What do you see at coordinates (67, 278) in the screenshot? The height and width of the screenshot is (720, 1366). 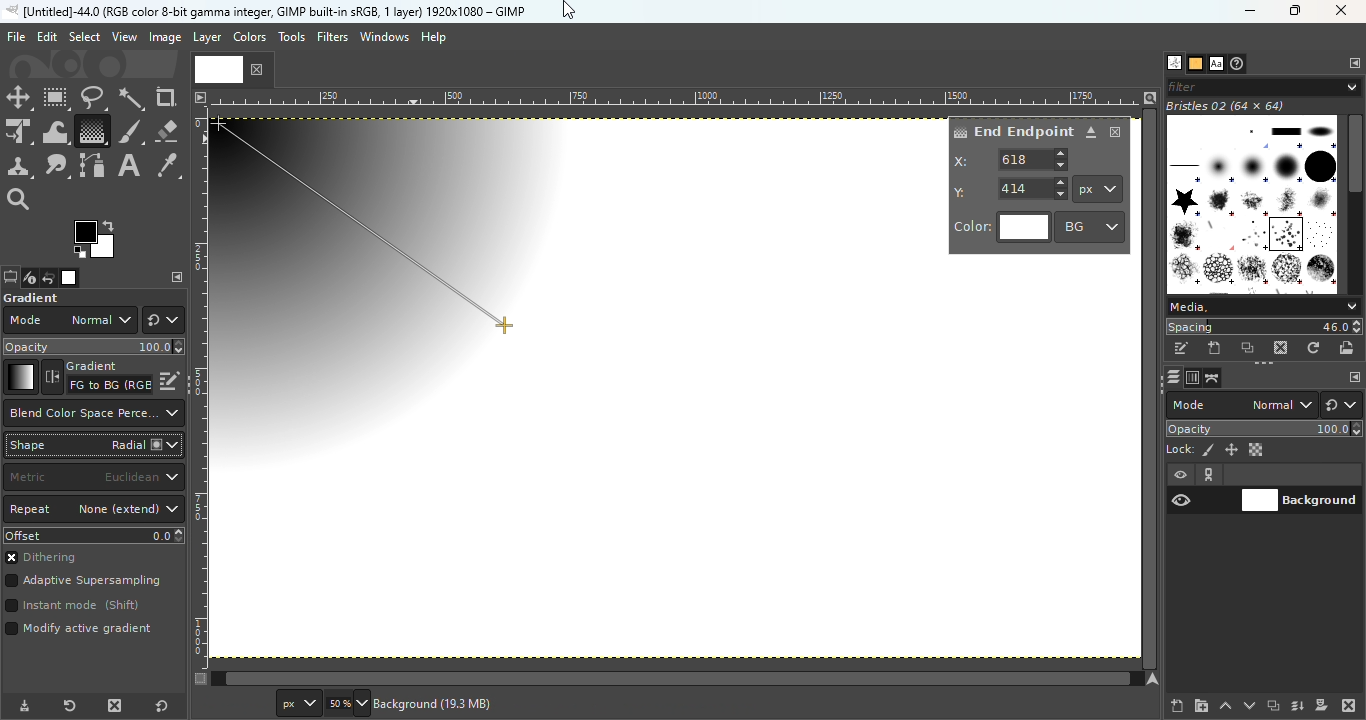 I see `Open the image dialog` at bounding box center [67, 278].